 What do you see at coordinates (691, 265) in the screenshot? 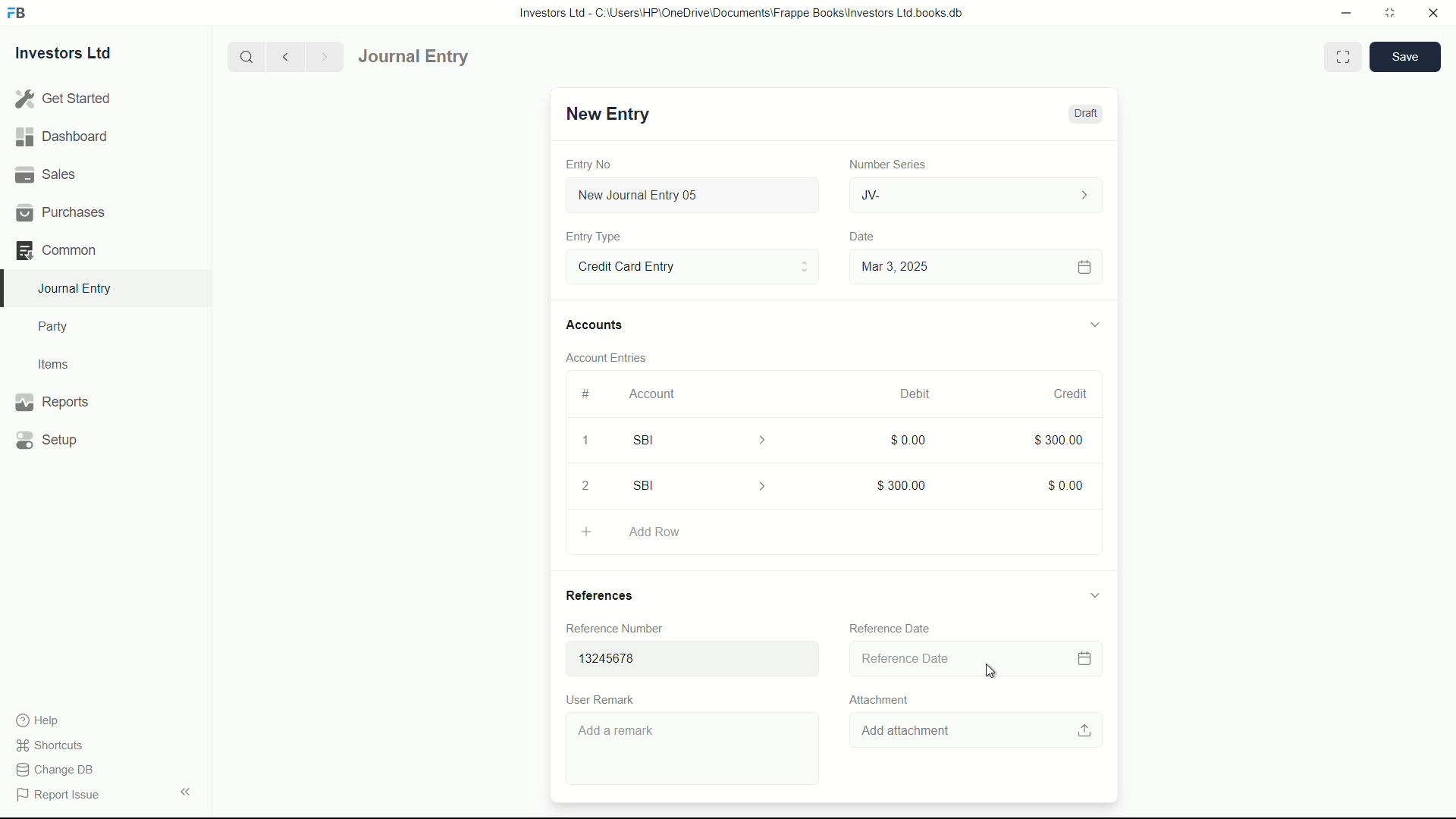
I see `Entry Type` at bounding box center [691, 265].